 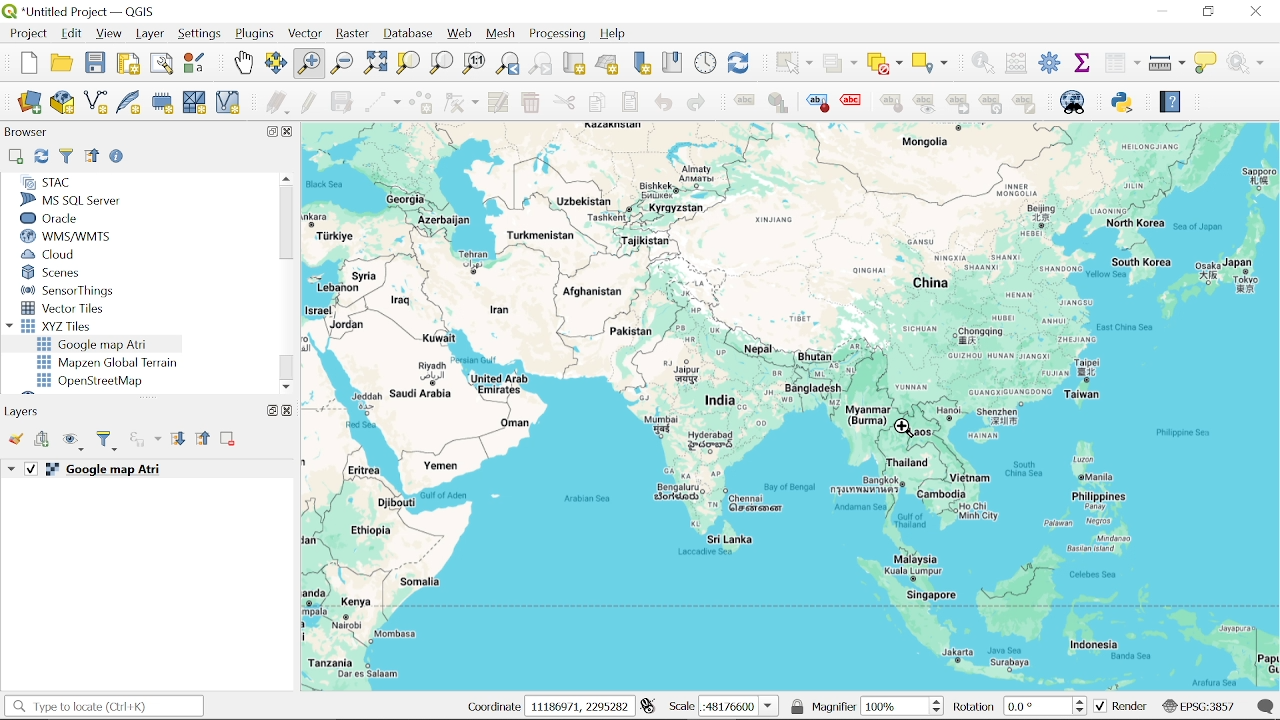 What do you see at coordinates (931, 62) in the screenshot?
I see `Select layers by location` at bounding box center [931, 62].